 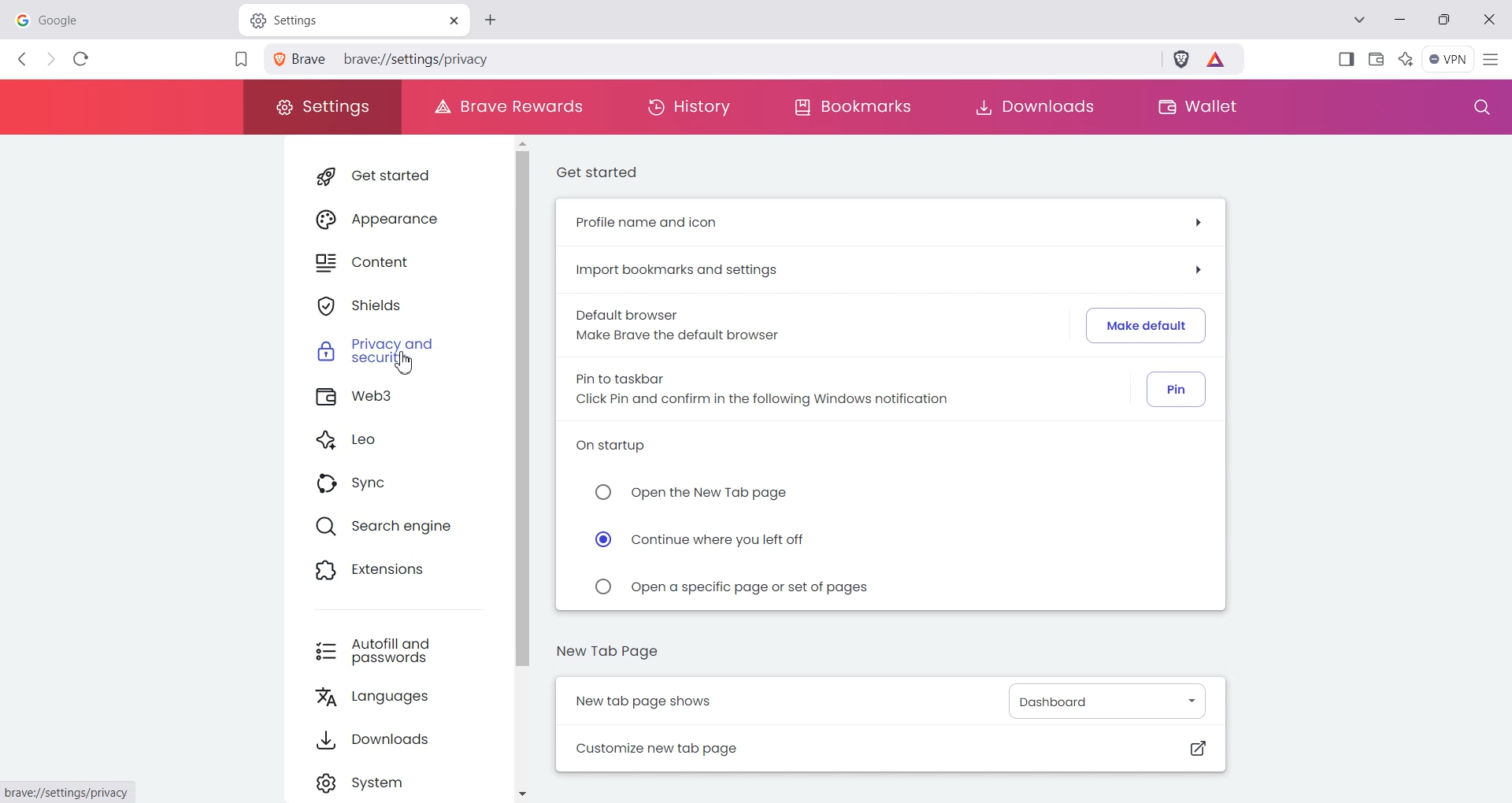 What do you see at coordinates (893, 749) in the screenshot?
I see `Customize new tab page` at bounding box center [893, 749].